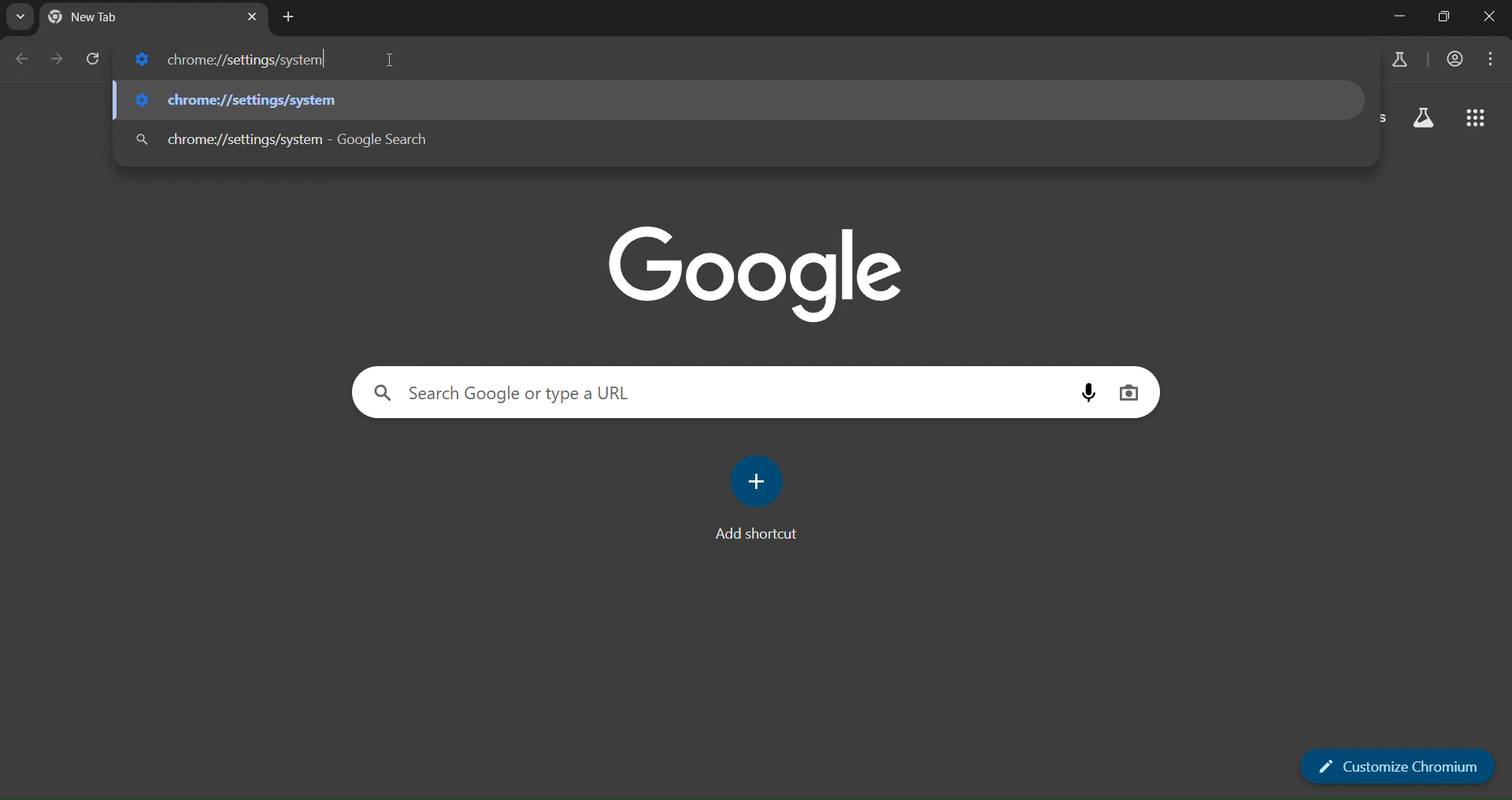 The width and height of the screenshot is (1512, 800). I want to click on close tab, so click(254, 15).